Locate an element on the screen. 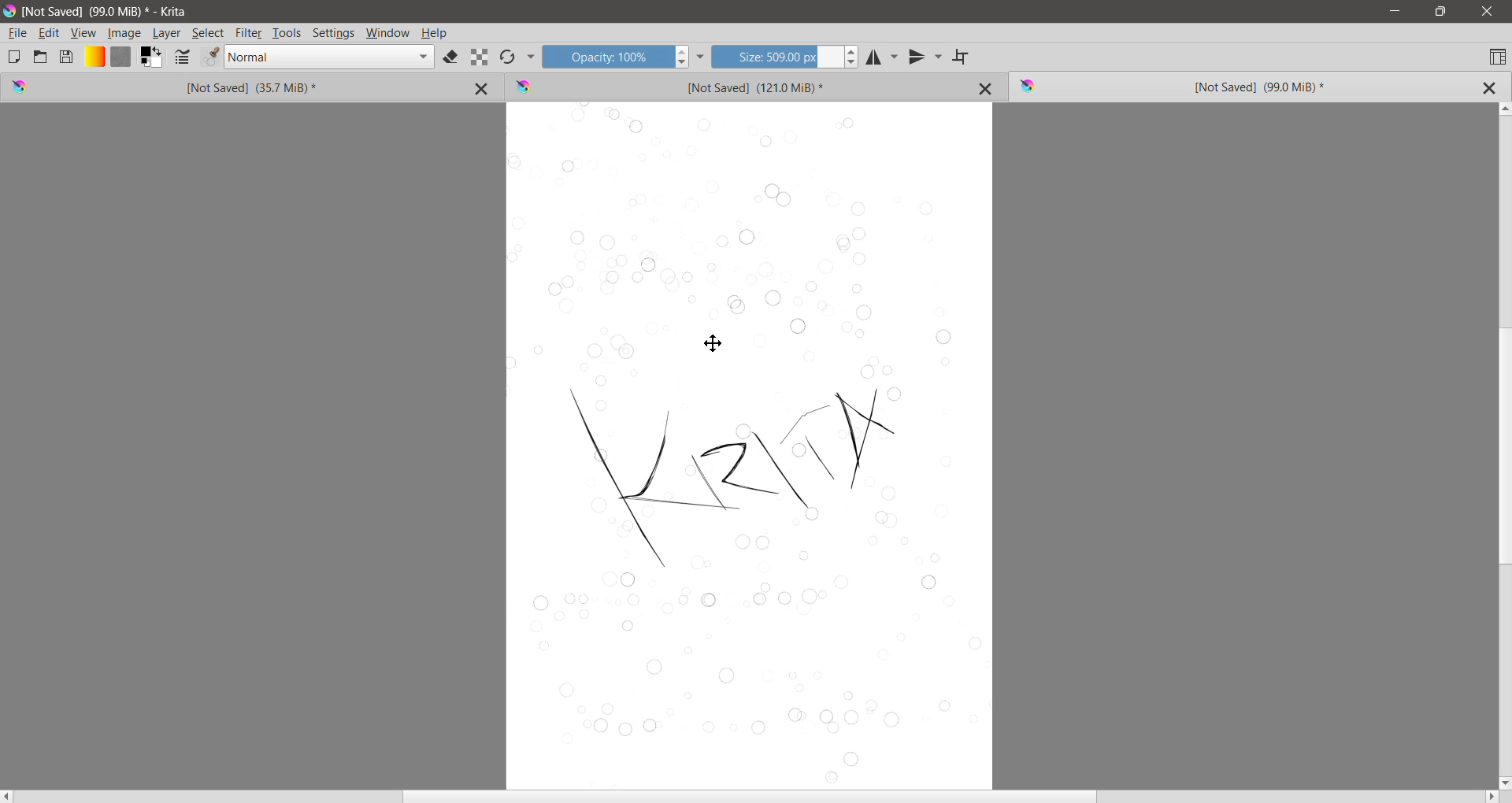 This screenshot has height=803, width=1512. Fill Gradients is located at coordinates (94, 57).